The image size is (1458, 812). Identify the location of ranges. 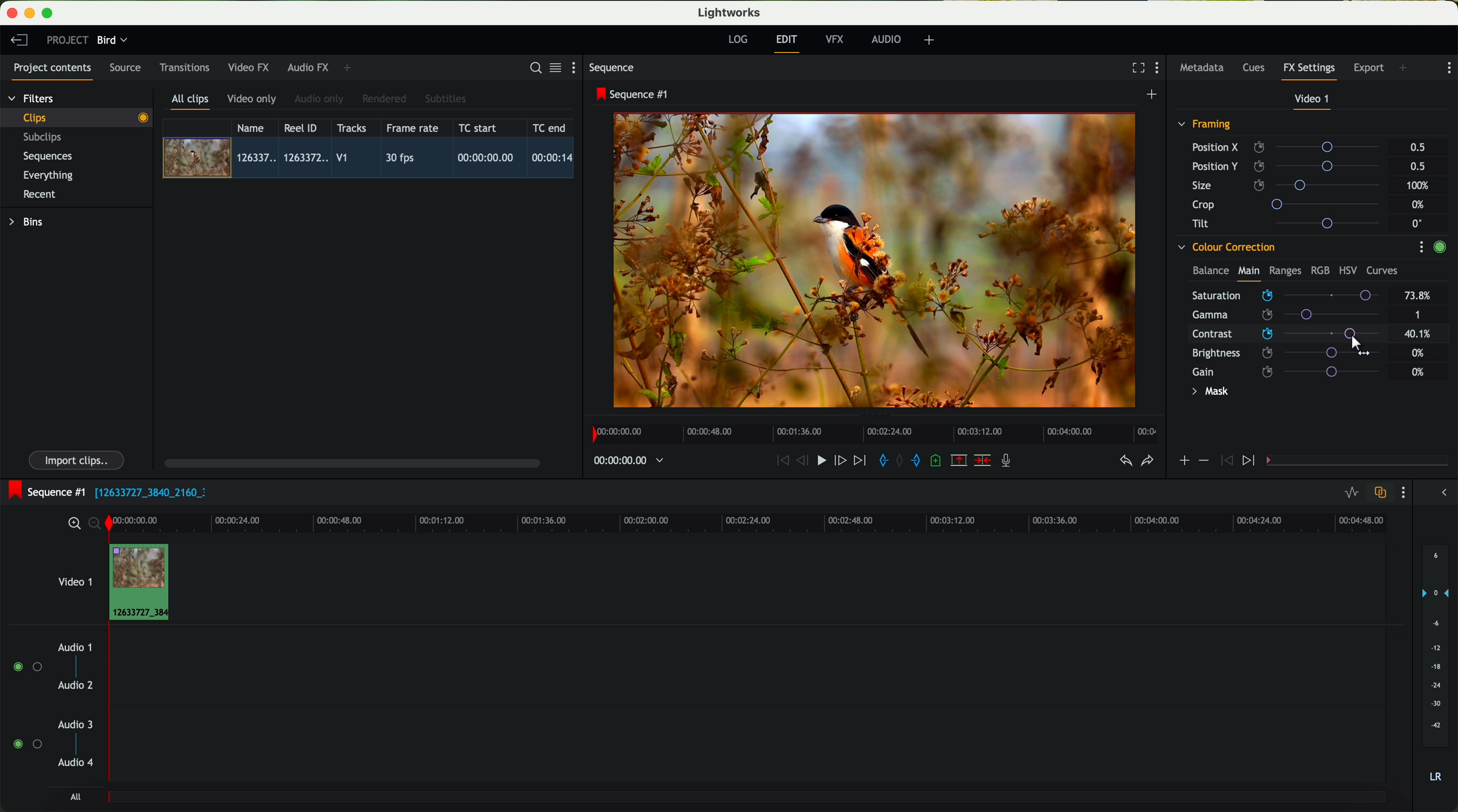
(1285, 270).